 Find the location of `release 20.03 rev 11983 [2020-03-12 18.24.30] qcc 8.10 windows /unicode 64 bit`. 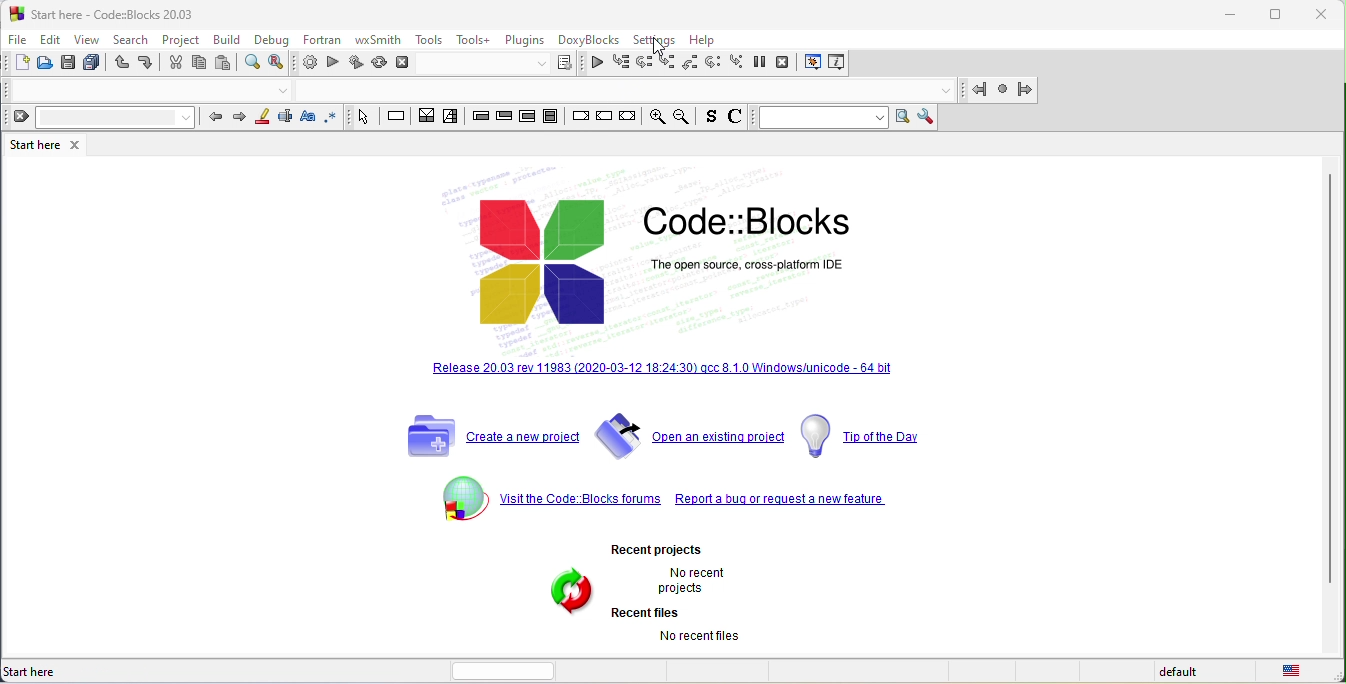

release 20.03 rev 11983 [2020-03-12 18.24.30] qcc 8.10 windows /unicode 64 bit is located at coordinates (657, 370).